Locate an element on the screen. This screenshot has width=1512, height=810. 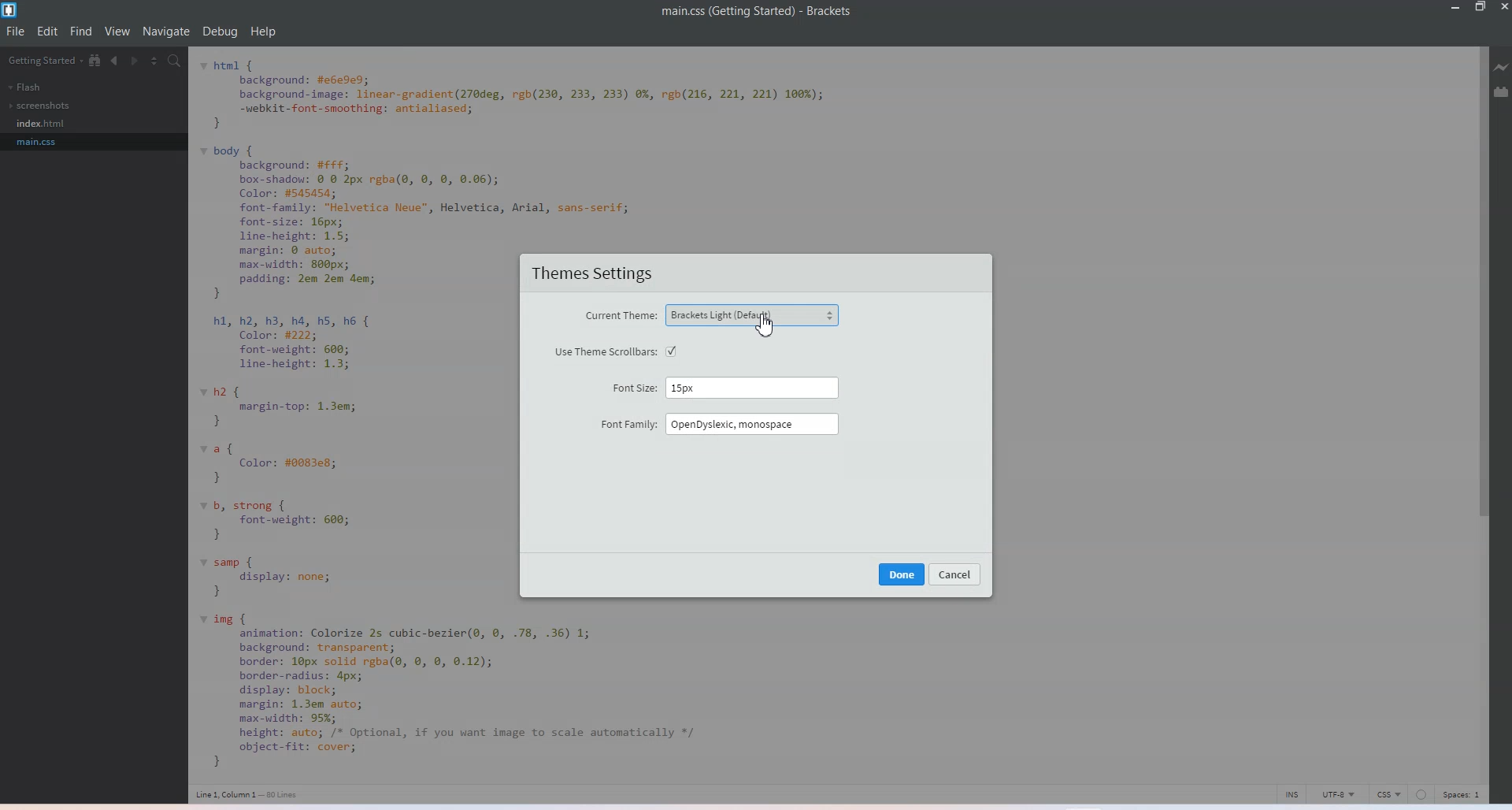
Logo is located at coordinates (12, 11).